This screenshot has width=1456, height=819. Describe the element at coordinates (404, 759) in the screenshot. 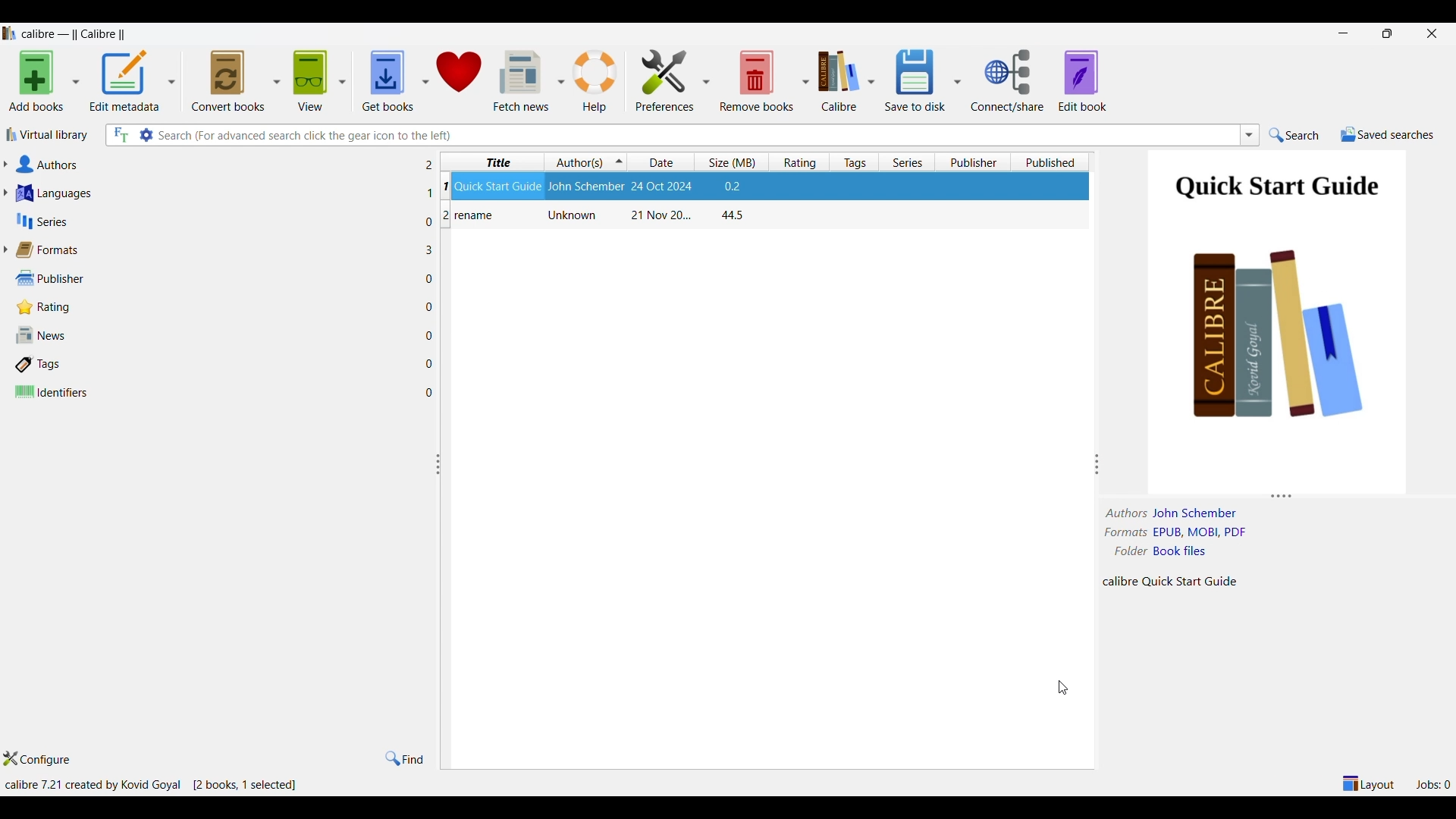

I see `Find` at that location.